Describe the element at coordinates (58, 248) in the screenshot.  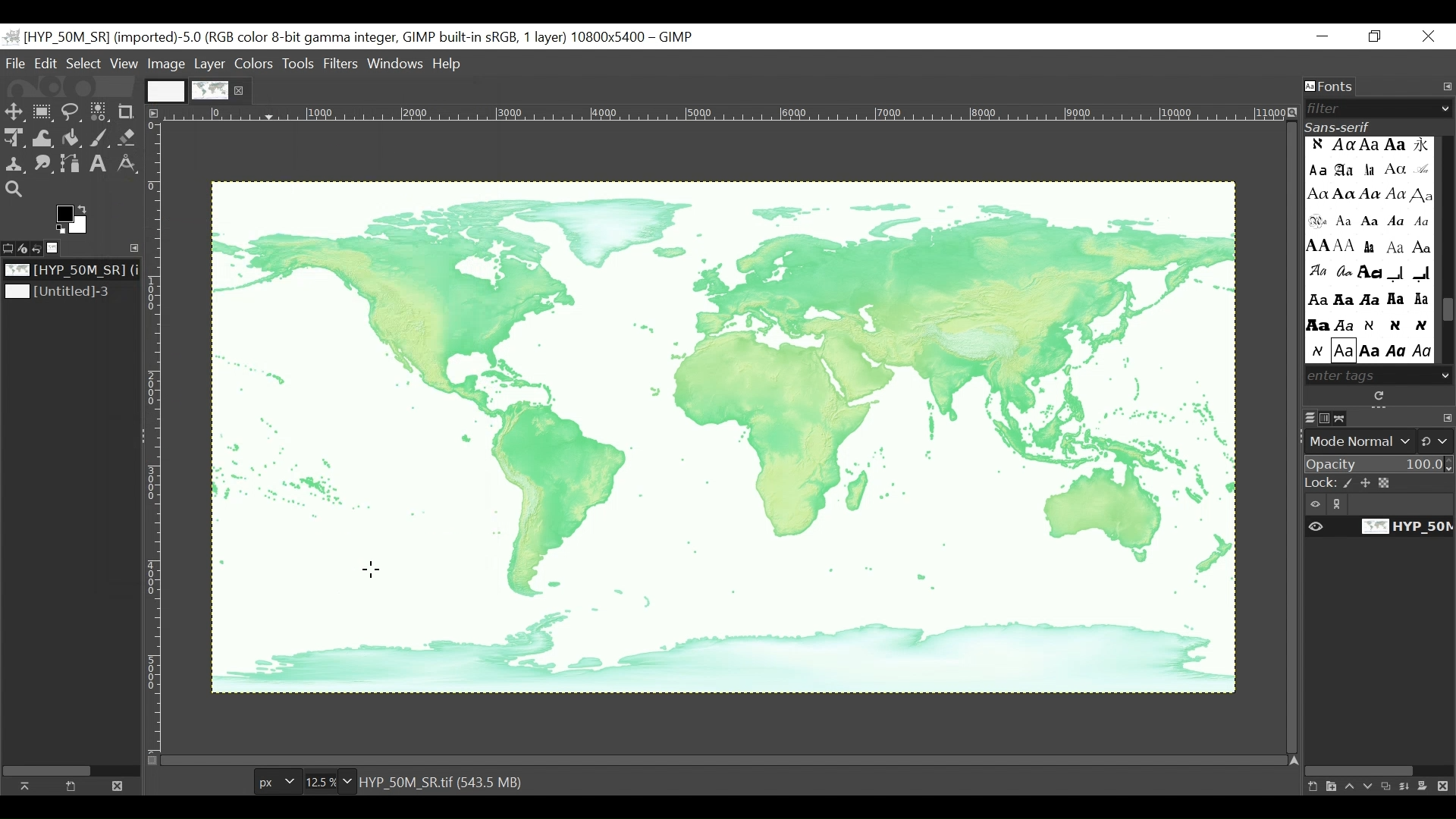
I see `Image` at that location.